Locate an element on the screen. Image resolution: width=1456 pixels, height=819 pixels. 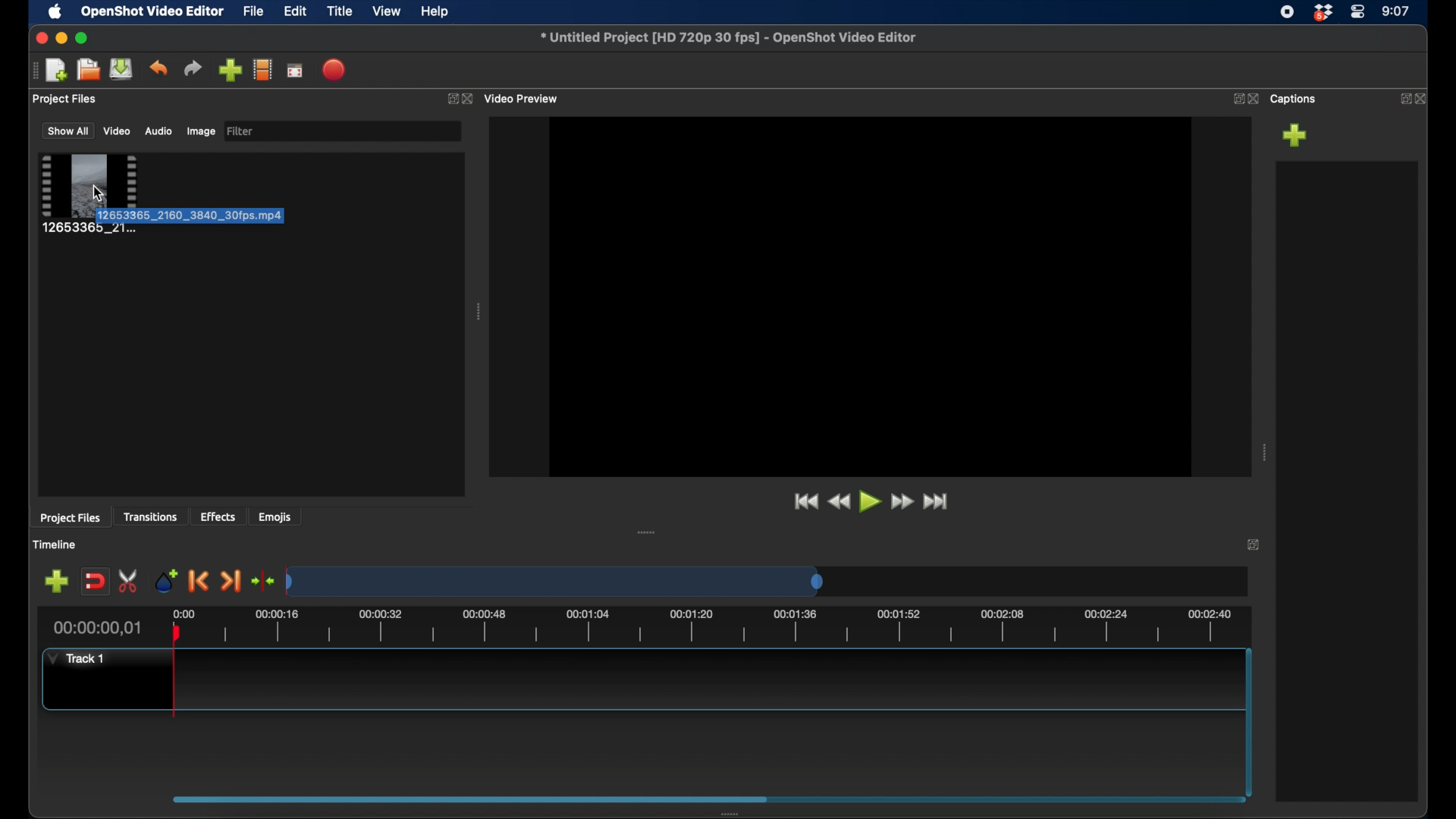
timeline scale is located at coordinates (554, 581).